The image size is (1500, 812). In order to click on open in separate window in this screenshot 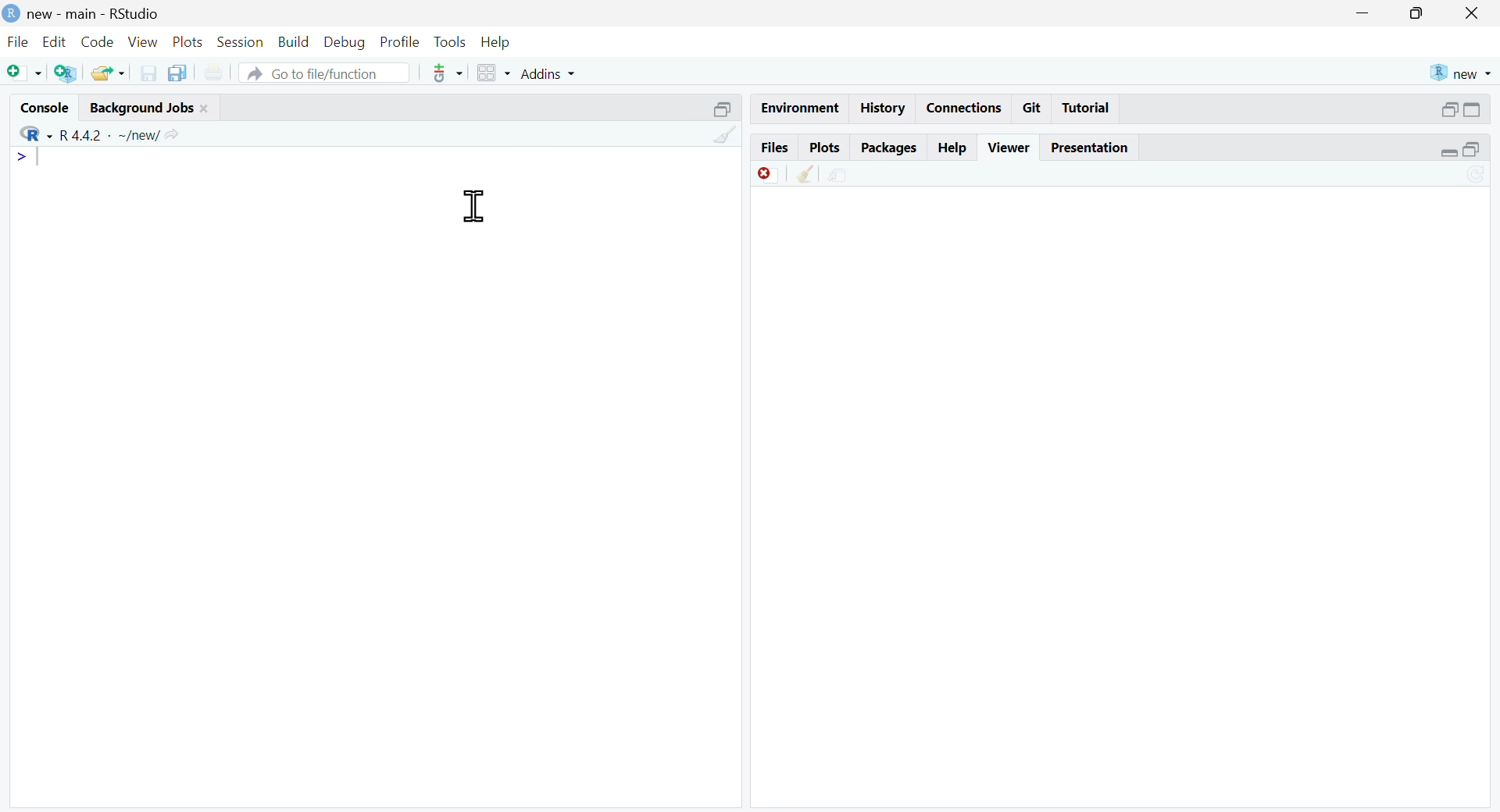, I will do `click(1450, 109)`.